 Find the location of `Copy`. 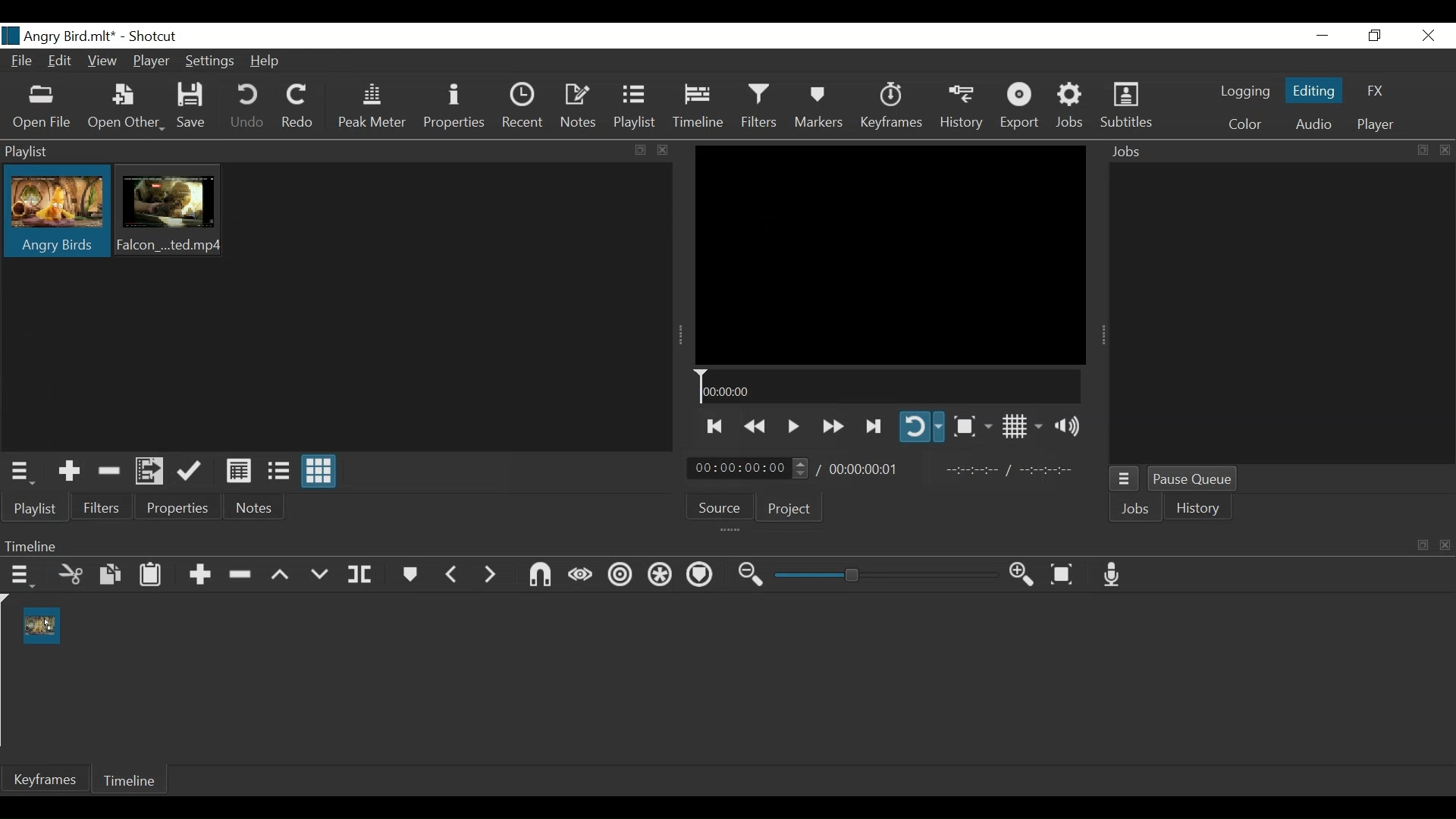

Copy is located at coordinates (108, 575).